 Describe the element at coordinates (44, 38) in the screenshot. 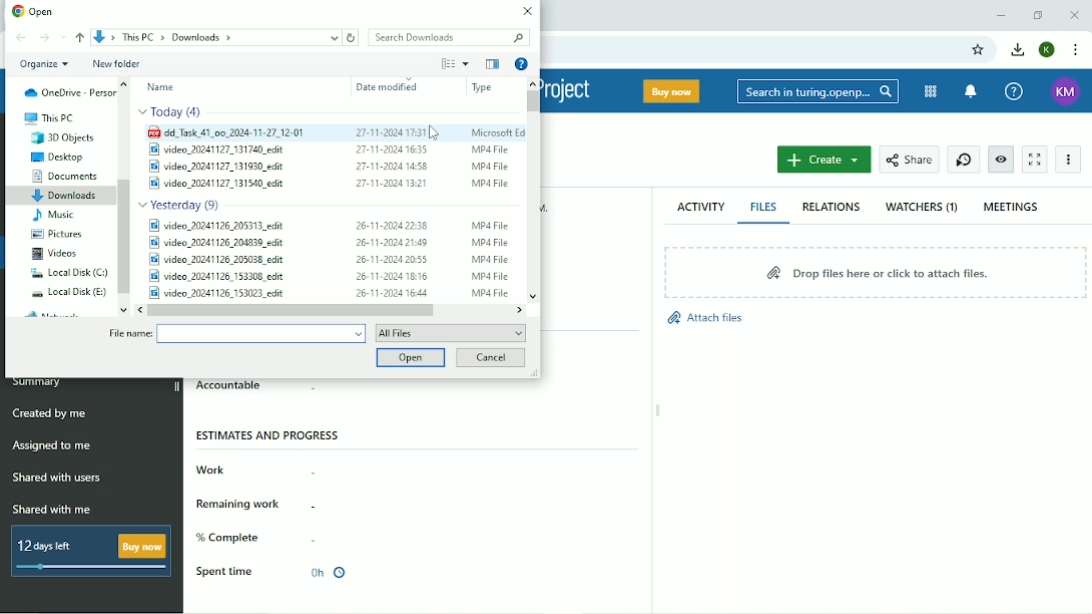

I see `Forward` at that location.